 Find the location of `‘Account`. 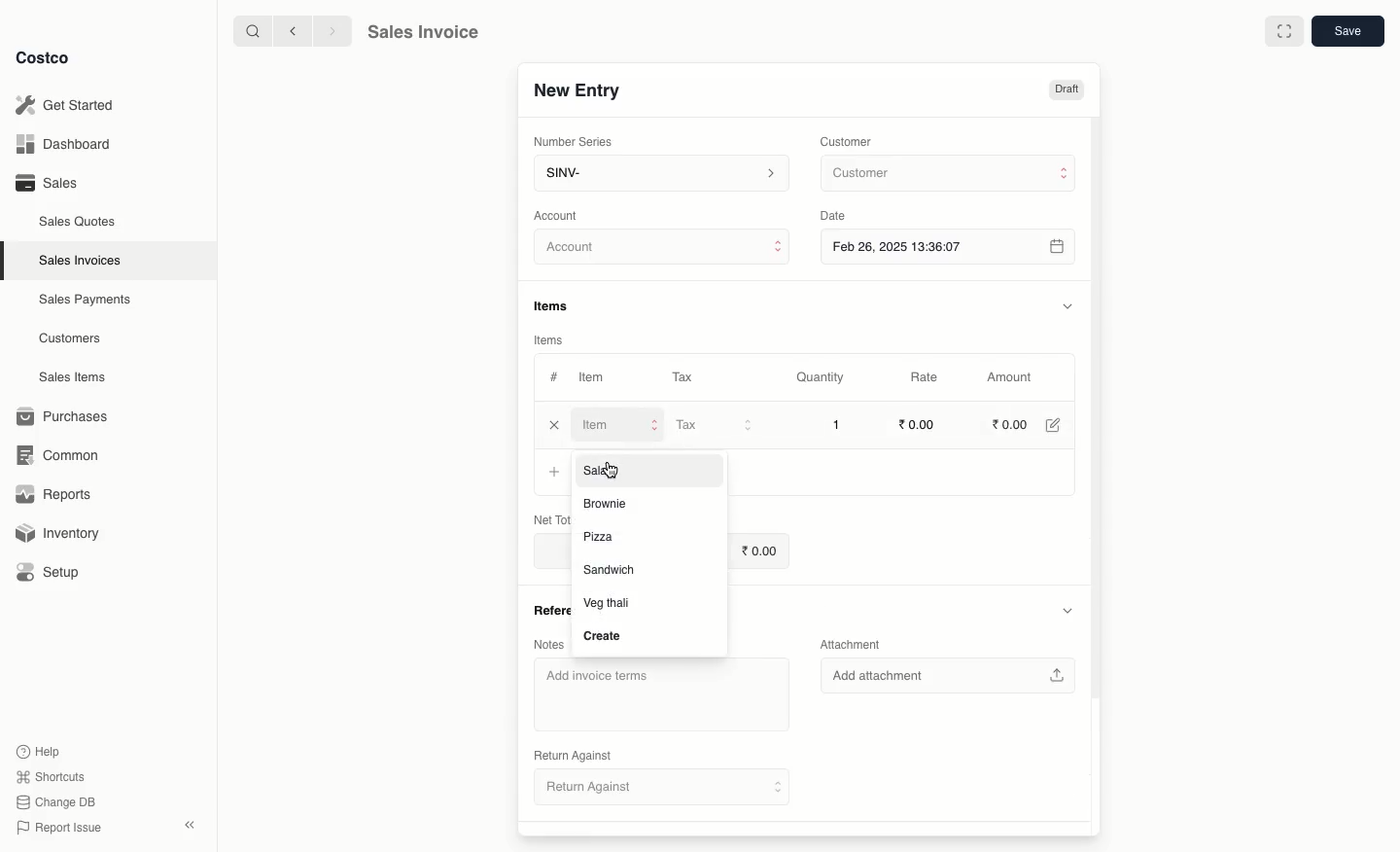

‘Account is located at coordinates (560, 215).